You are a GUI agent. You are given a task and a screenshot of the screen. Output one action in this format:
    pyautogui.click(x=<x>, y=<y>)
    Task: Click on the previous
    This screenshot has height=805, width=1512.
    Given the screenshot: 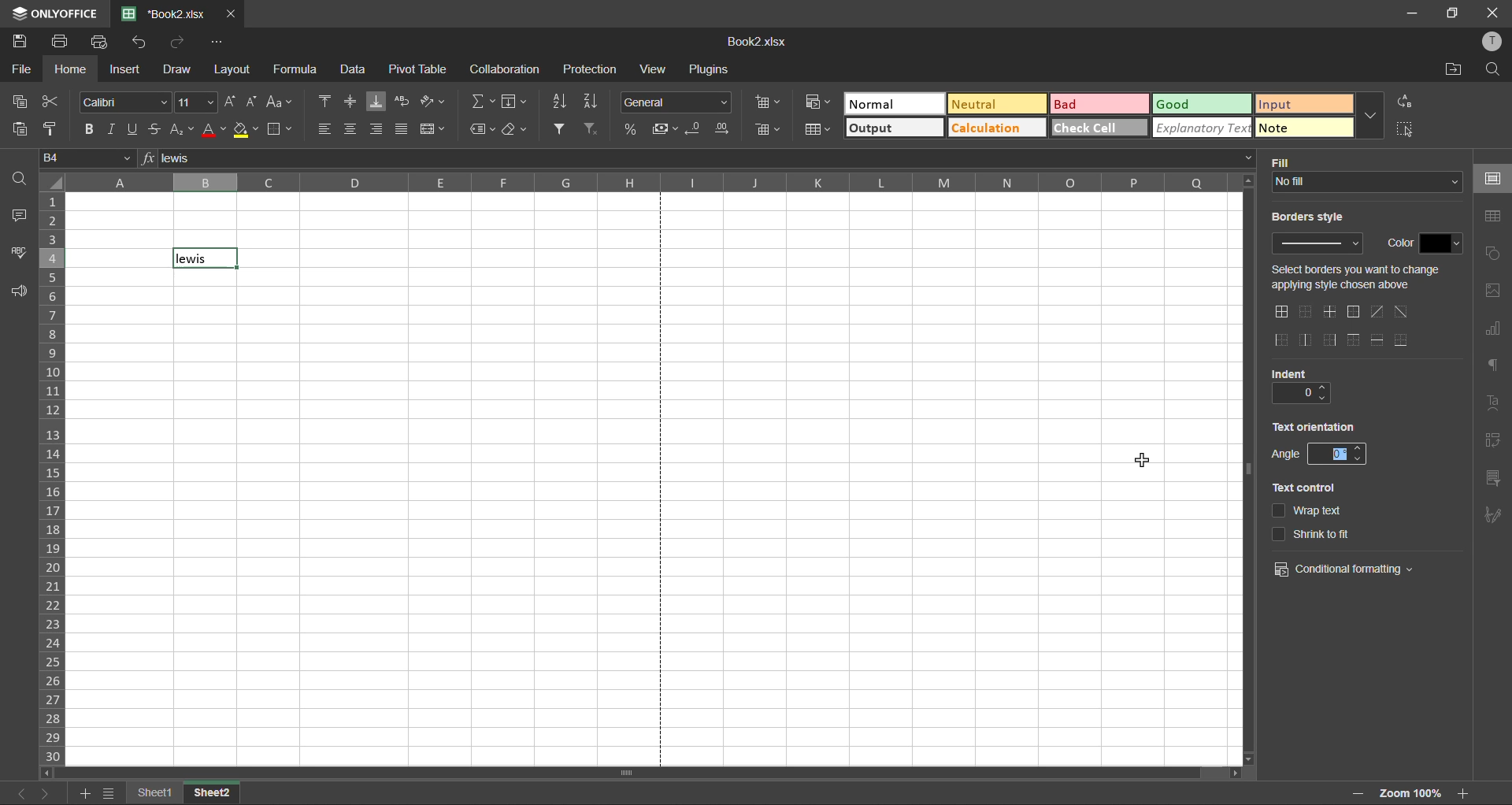 What is the action you would take?
    pyautogui.click(x=22, y=796)
    